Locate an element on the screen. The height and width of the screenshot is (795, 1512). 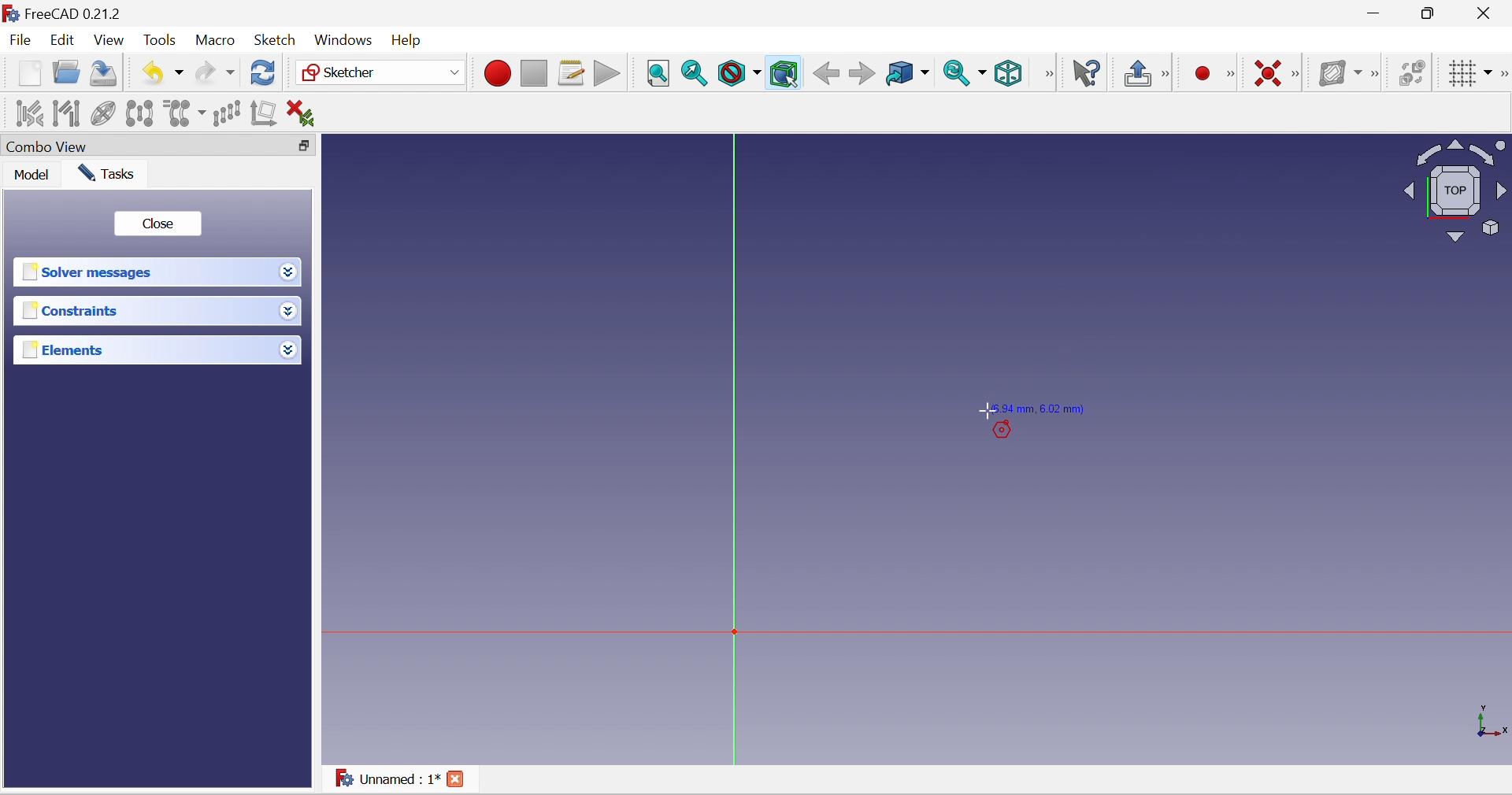
Go to linked object is located at coordinates (908, 74).